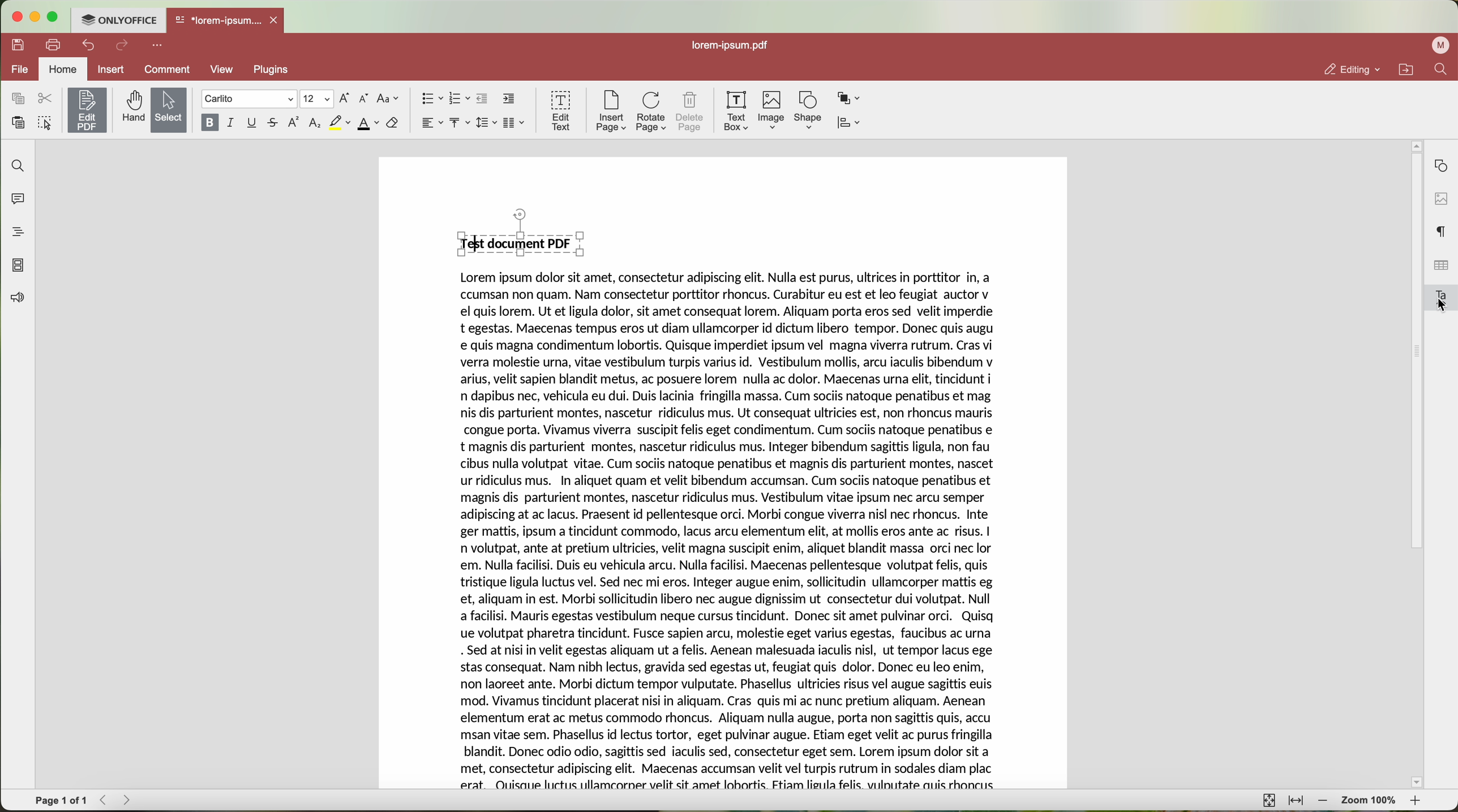 The image size is (1458, 812). Describe the element at coordinates (730, 532) in the screenshot. I see `Lorem Ipsum dolor sit amet, consectetur adipiscing elit. Nulla est purus, ultrices in porttitor In, a
ccumsan non quam. Nam consectetur porttitor rhoncus. Curabitur eu est et leo feugiat auctor v
el quis lorem. Ut et ligula dolor, sit amet consequat lorem. Aliquam porta eros sed velit imperdie
t egestas. Maecenas tempus eros ut diam ullamcorper id dictum libero tempor. Donec quis augu
e quis magna condimentum lobortis. Quisque imperdiet ipsum vel magna viverra rutrum. Cras vi
verra molestie urna, vitae vestibulum turpis varius id. Vestibulum mollis, arcu iaculis bibendum v
arius, velit sapien blandit metus, ac posuere lorem nulla ac dolor. Maecenas urna elit, tincidunt i
n dapibus nec, vehicula eu dui. Duis lacinia fringilla massa. Cum sociis natoque penatibus et mag
nis dis parturient montes, nascetur ridiculus mus. Ut consequat ultricies est, non rhoncus mauris
congue porta. Vivamus viverra suscipit felis eget condimentum. Cum sociis natoque penatibus e
t magnis dis parturient montes, nascetur ridiculus mus. Integer bibendum sagittis ligula, non fau
cibus nulla volutpat vitae. Cum sociis natoque penatibus et magnis dis parturient montes, nascet
ur ridiculus mus. In aliquet quam et velit bibendum accumsan. Cum sociis natoque penatibus et
magnis dis parturient montes, nascetur ridiculus mus. Vestibulum vitae ipsum nec arcu semper
adipiscing at ac lacus. Praesent id pellentesque orci. Morbi congue viverra nisl nec rhoncus. Inte
ger mattis, ipsum a tincidunt commodo, lacus arcu elementum elit, at mollis eros ante ac risus. |
n volutpat, ante at pretium ultricies, velit magna suscipit enim, aliquet blandit massa orci nec lor
em. Nulla facilisi. Duis eu vehicula arcu. Nulla facilisi. Maecenas pellentesque volutpat felis, quis
tristique ligula luctus vel. Sed nec mi eros. Integer augue enim, sollicitudin ullamcorper mattis eg
et, aliquam in est. Morbi sollicitudin libero nec augue dignissim ut consectetur dui volutpat. Null
a facilisi. Mauris egestas vestibulum neque cursus tincidunt. Donec sit amet pulvinar orci. Quisq
ue volutpat pharetra tincidunt. Fusce sapien arcu, molestie eget varius egestas, faucibus ac urna
. Sed at nisi in velit egestas aliquam ut a felis. Aenean malesuada iaculis nisl, ut tempor lacus ege
stas consequat. Nam nibh lectus, gravida sed egestas ut, feugiat quis dolor. Donec eu leo enim,
non laoreet ante. Morbi dictum tempor vulputate. Phasellus ultricies risus vel augue sagittis euis
mod. Vivamus tincidunt placerat nisi in aliquam. Cras quis mi ac nunc pretium aliquam. Aenean
elementum erat ac metus commodo rhoncus. Aliquam nulla augue, porta non sagittis quis, accu
msan vitae sem. Phasellus id lectus tortor, eget pulvinar augue. Etiam eget velit ac purus fringilla
blandit. Donec odio odio, sagittis sed iaculis sed, consectetur eget sem. Lorem ipsum dolor sit a
met, consectetur adipiscing elit. Maecenas accumsan velit vel turpis rutrum in sodales diam plac
erat. Quisaue luctus ullamecorner velit sit amet lohortis. Ftiam ligula felis. vulnutate auis rhoncus` at that location.